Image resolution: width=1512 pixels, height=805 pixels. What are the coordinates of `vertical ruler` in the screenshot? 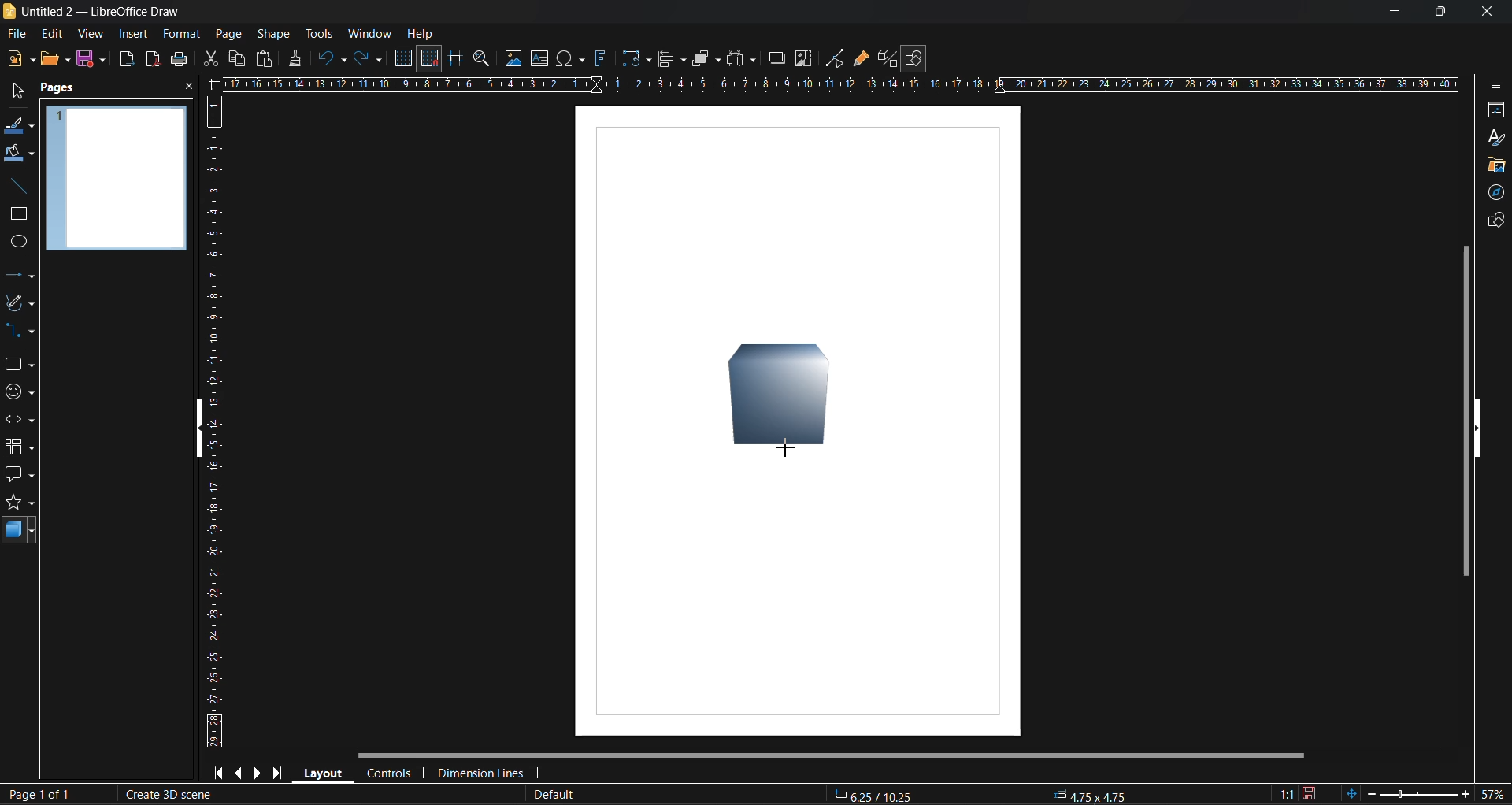 It's located at (215, 421).